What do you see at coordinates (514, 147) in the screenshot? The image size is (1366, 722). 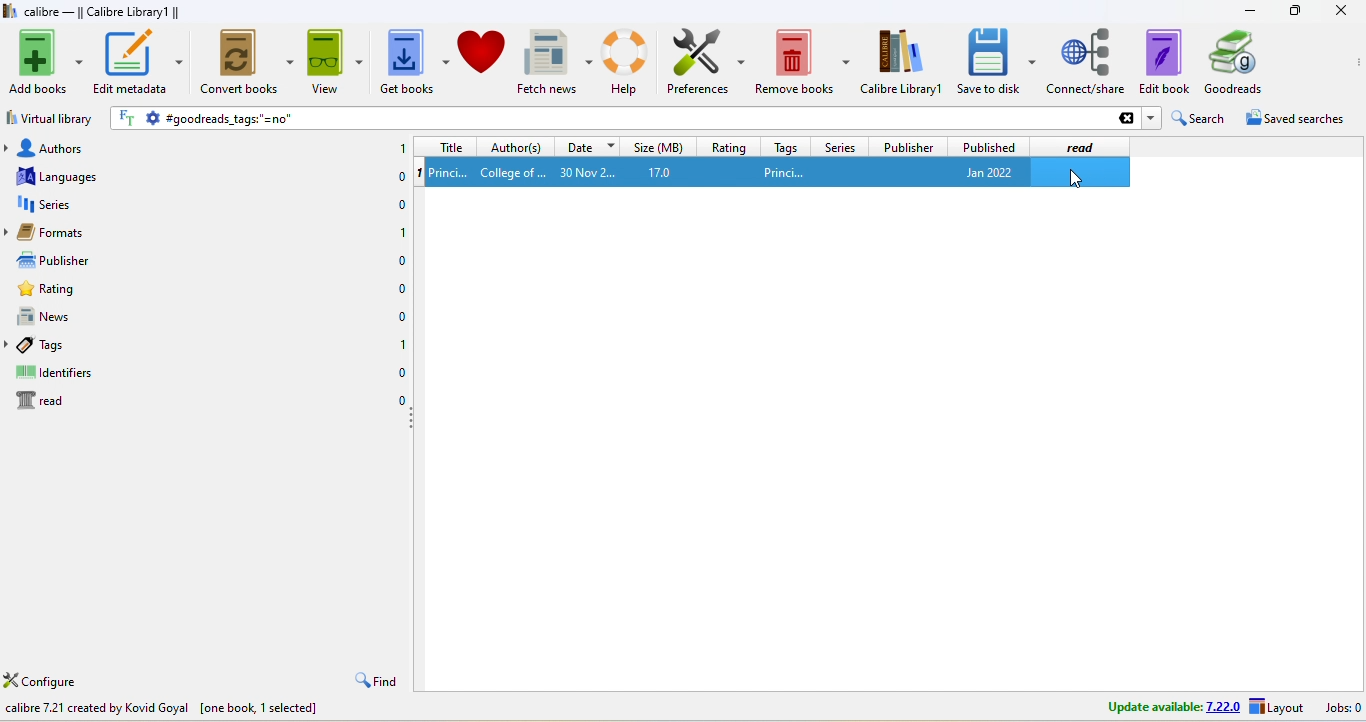 I see `author(s)` at bounding box center [514, 147].